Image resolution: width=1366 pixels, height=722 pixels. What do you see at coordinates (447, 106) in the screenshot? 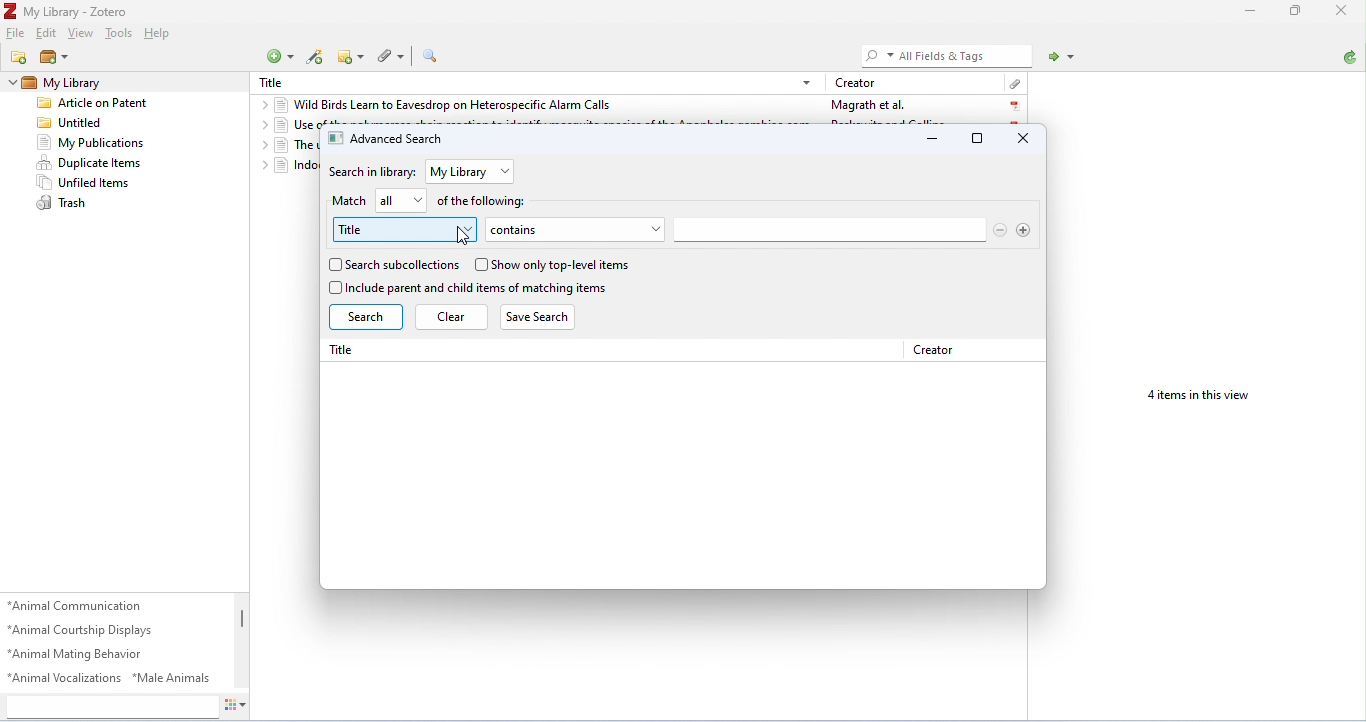
I see `wild birds learn to eavesdrop on heterospecific alarm calls` at bounding box center [447, 106].